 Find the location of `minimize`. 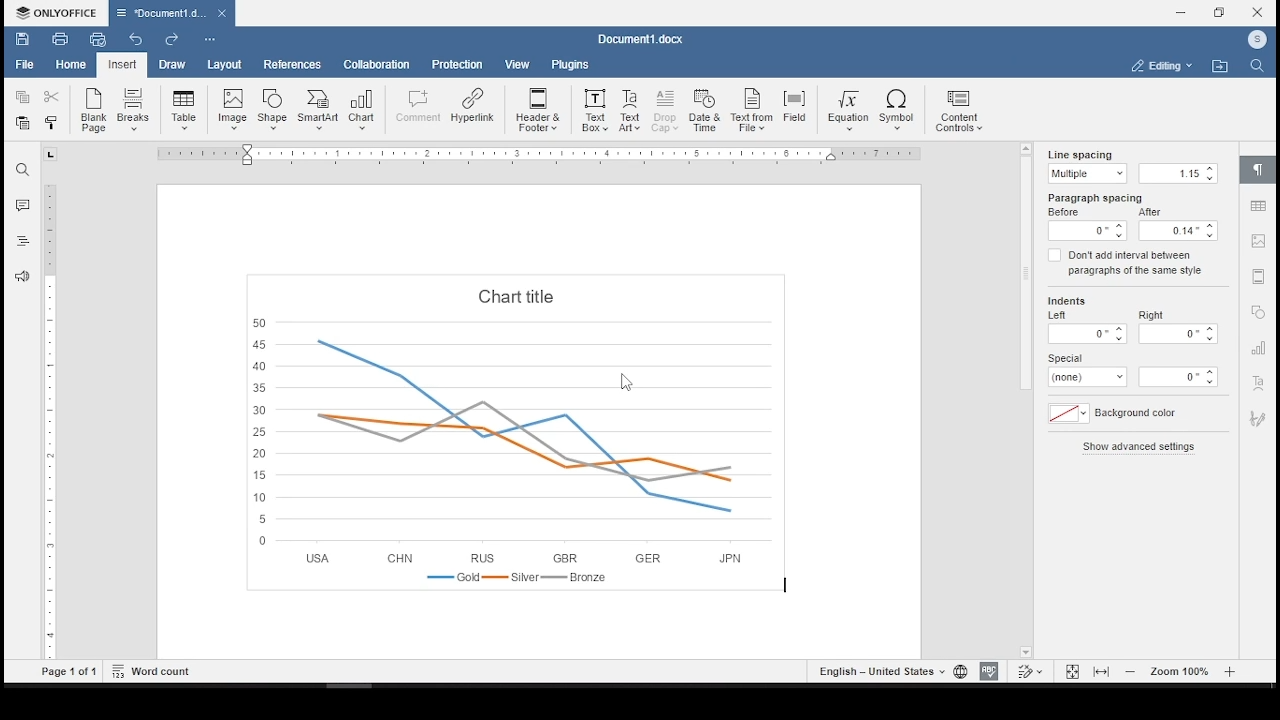

minimize is located at coordinates (1181, 12).